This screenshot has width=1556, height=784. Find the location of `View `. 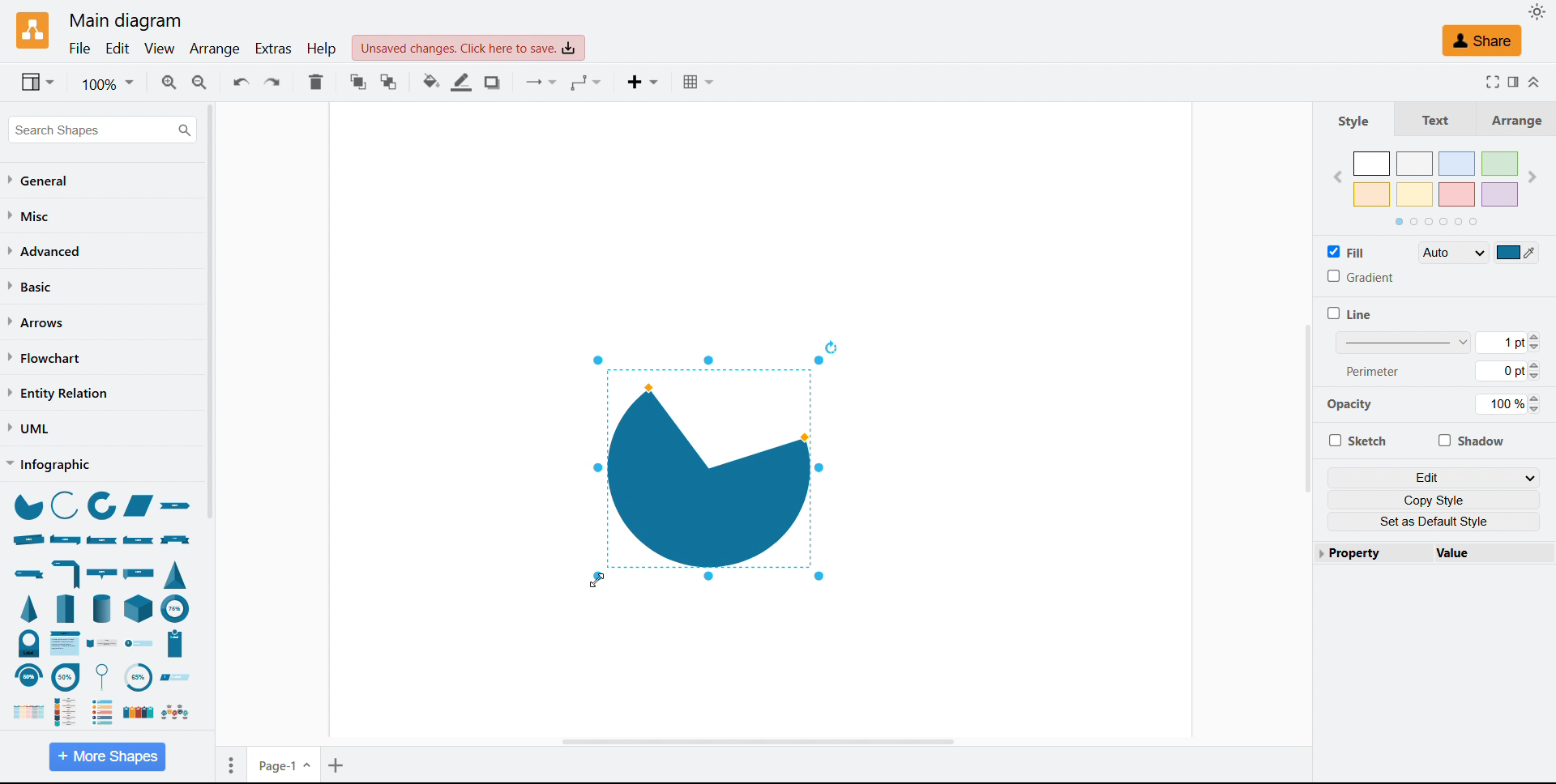

View  is located at coordinates (160, 49).